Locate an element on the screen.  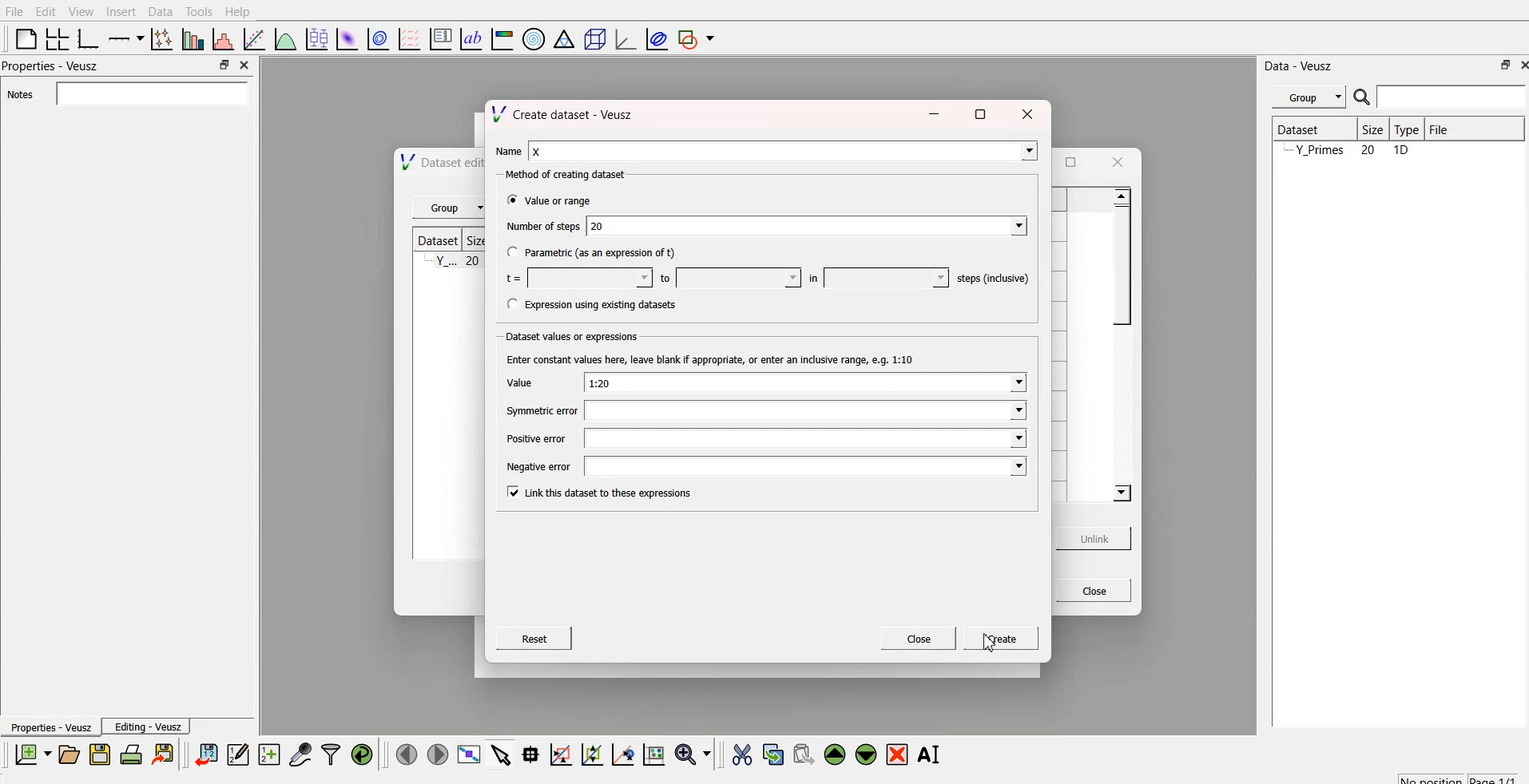
Value 1:20 is located at coordinates (761, 382).